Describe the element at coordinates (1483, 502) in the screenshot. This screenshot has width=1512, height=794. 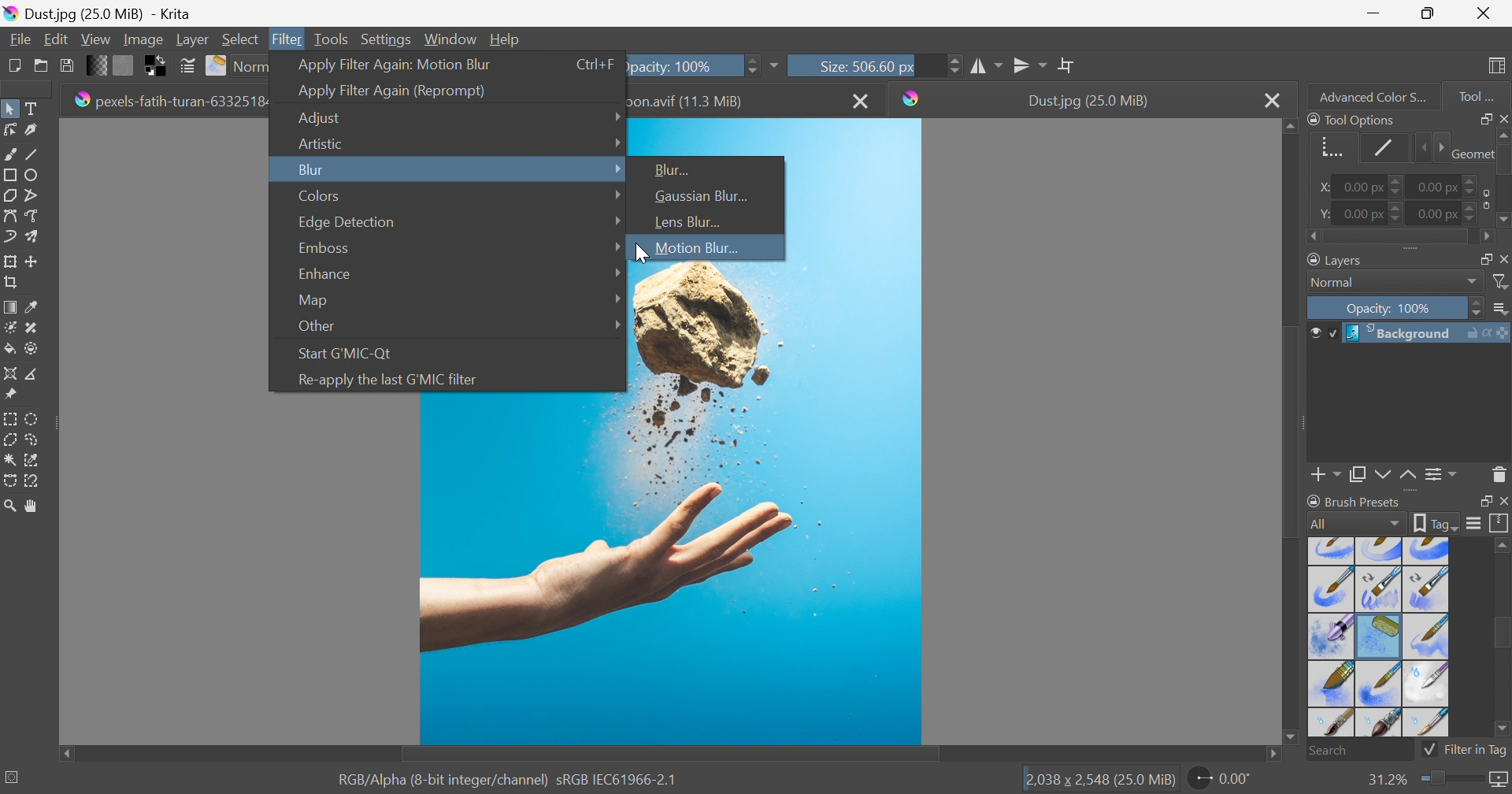
I see `Float Docker` at that location.